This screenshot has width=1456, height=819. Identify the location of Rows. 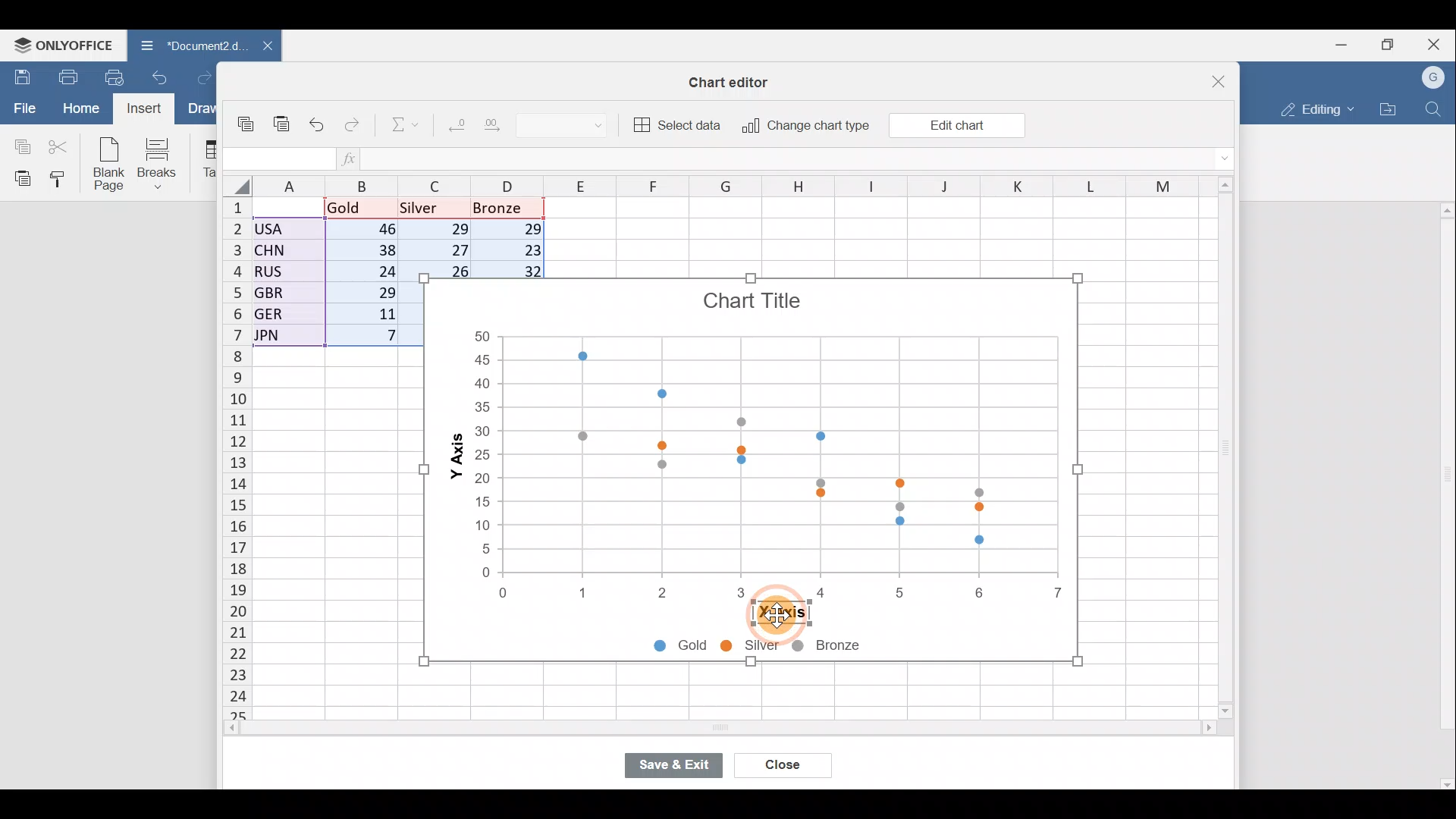
(227, 460).